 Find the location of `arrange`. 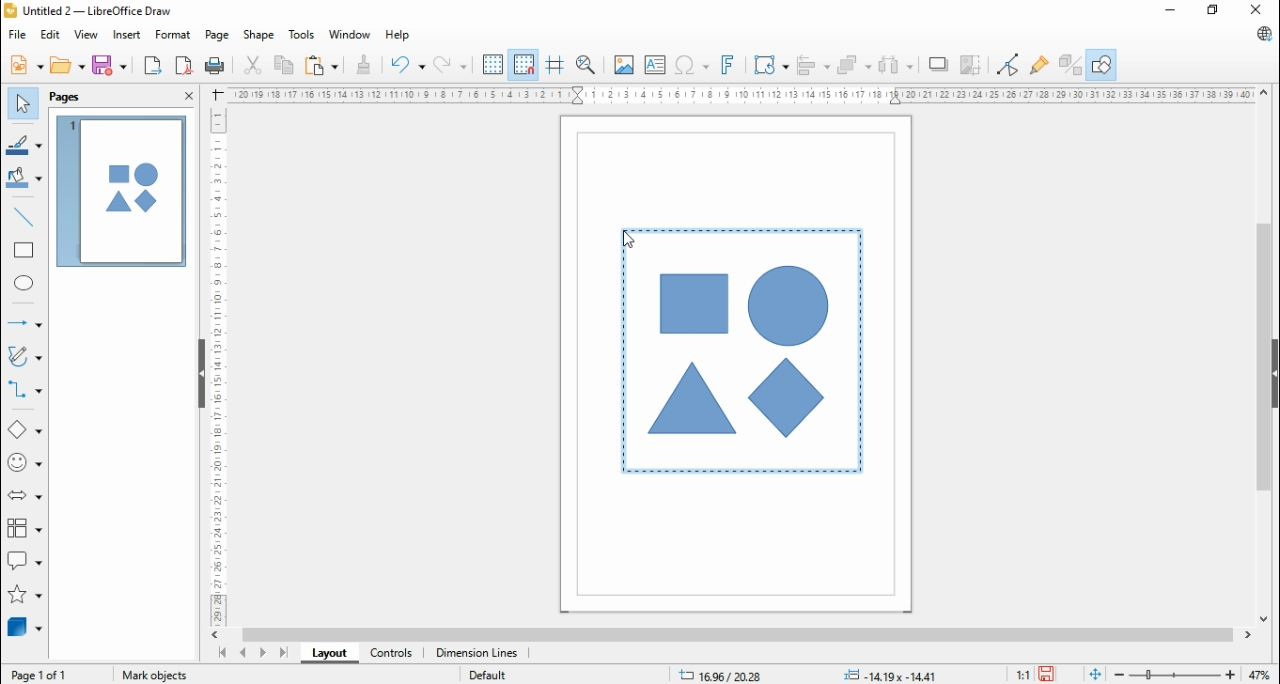

arrange is located at coordinates (854, 64).